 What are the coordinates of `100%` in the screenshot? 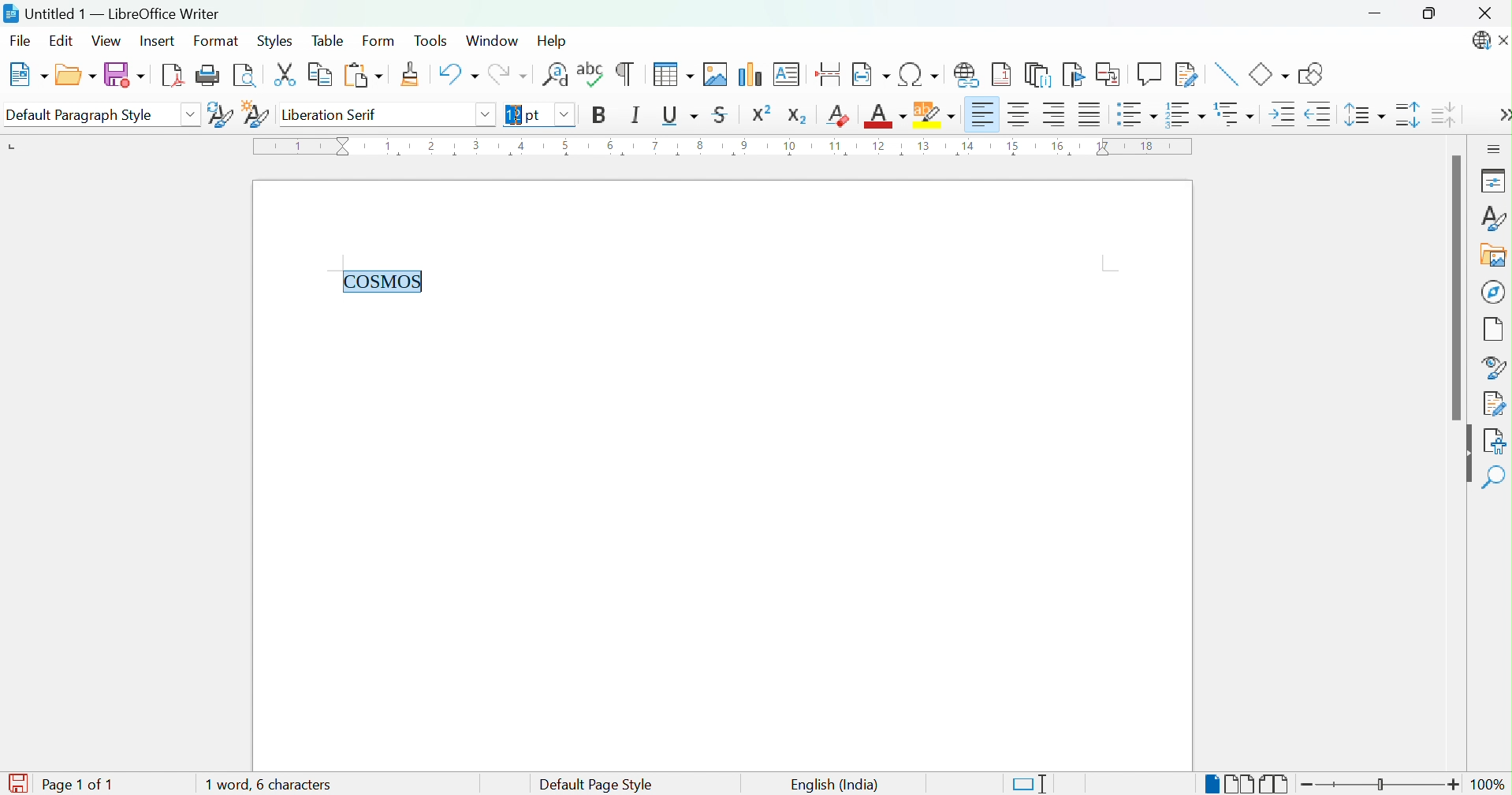 It's located at (1493, 787).